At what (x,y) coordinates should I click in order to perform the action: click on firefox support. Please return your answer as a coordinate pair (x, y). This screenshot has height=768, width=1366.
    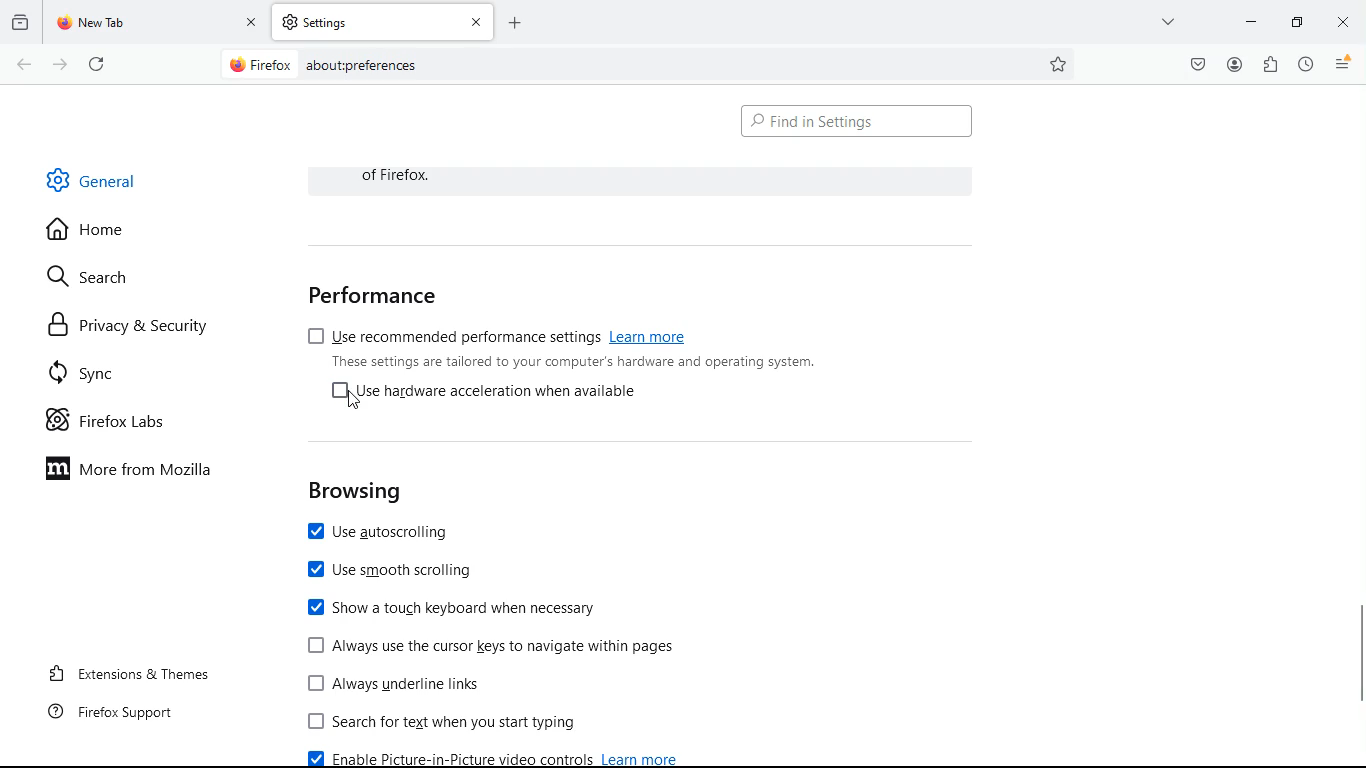
    Looking at the image, I should click on (108, 717).